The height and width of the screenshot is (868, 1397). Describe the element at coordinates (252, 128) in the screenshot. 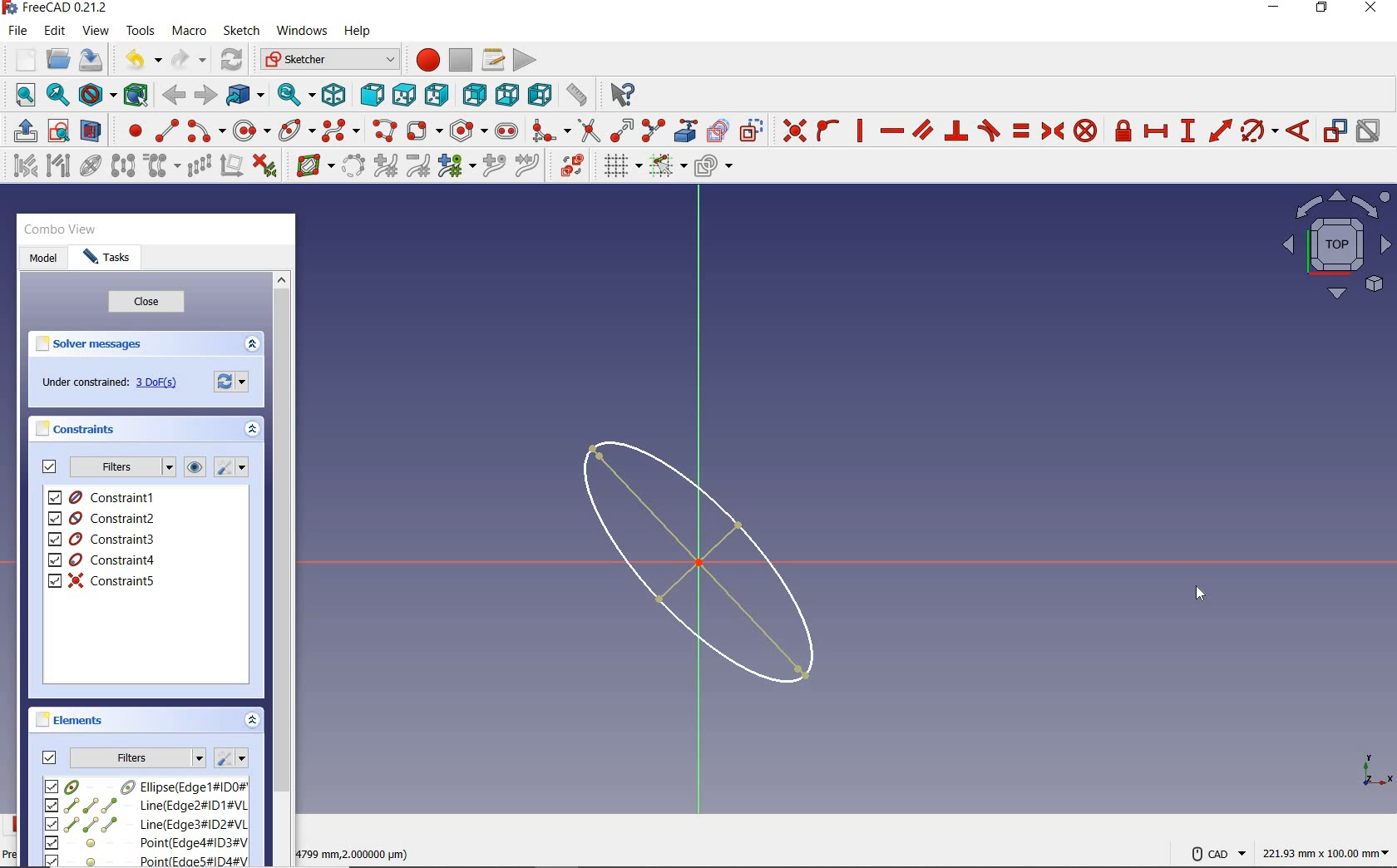

I see `create circle` at that location.